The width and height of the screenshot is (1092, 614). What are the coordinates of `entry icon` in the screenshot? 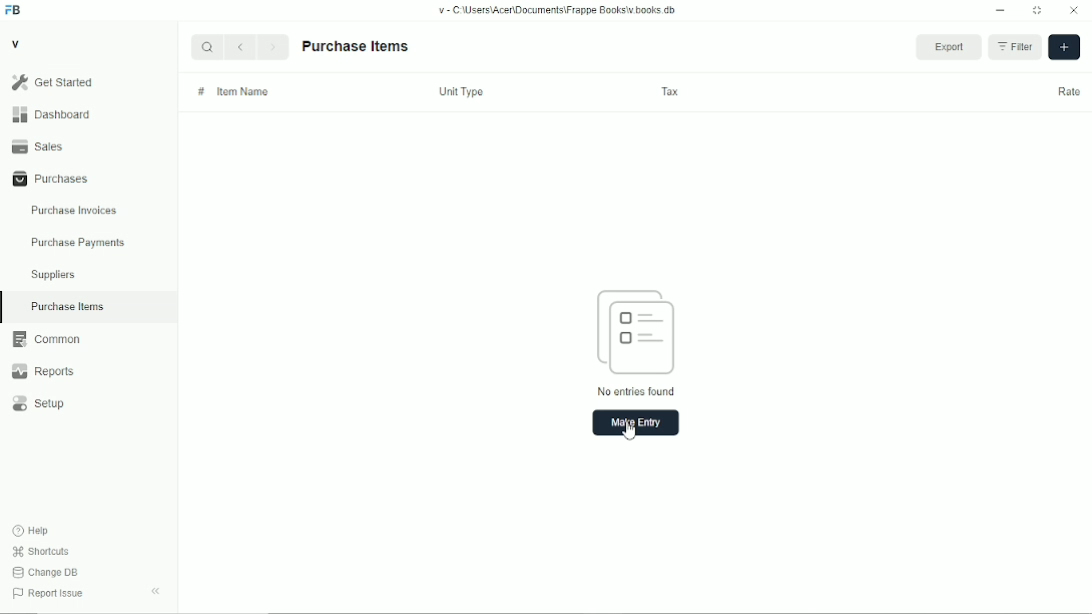 It's located at (636, 332).